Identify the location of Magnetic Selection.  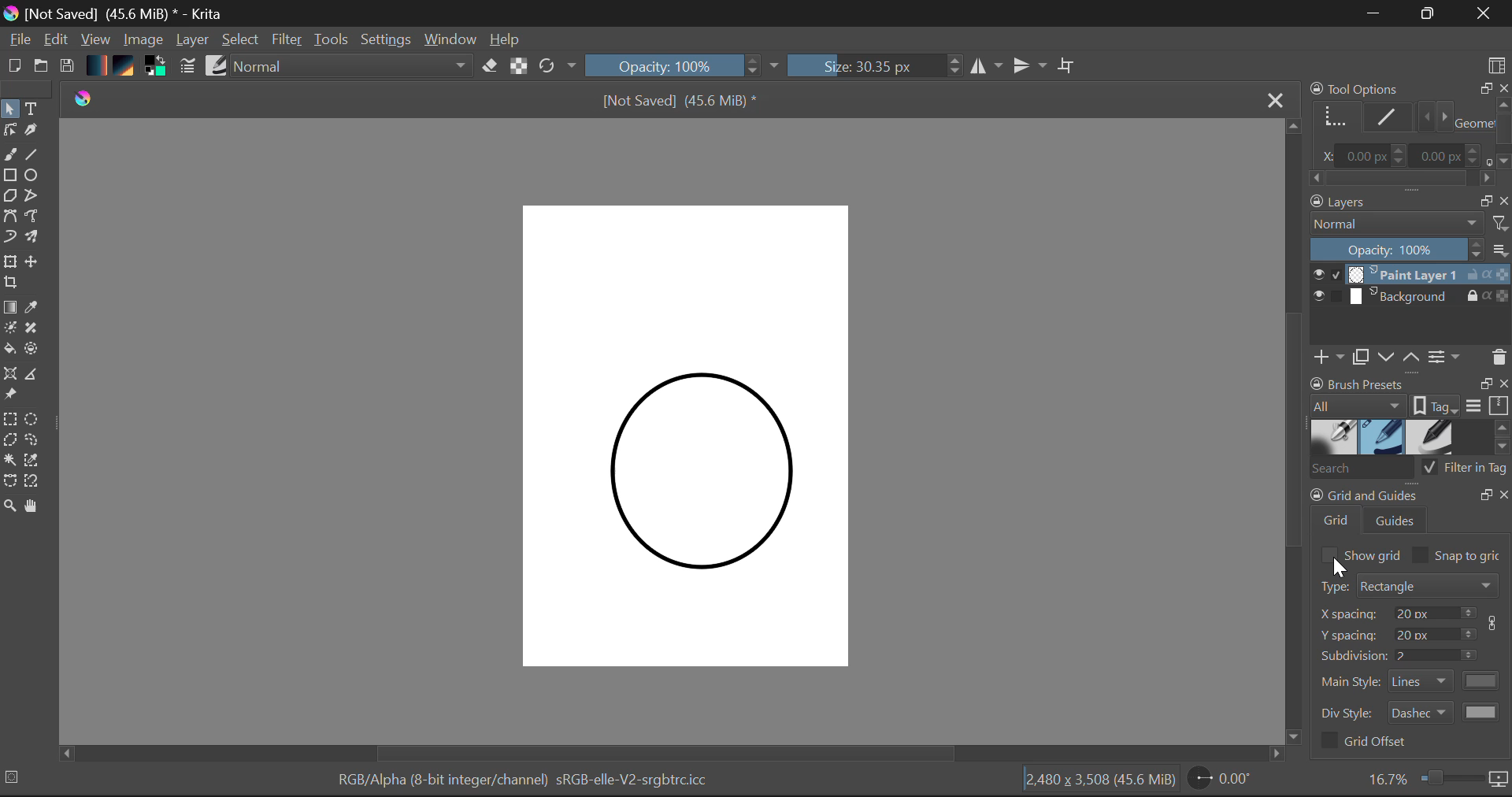
(30, 481).